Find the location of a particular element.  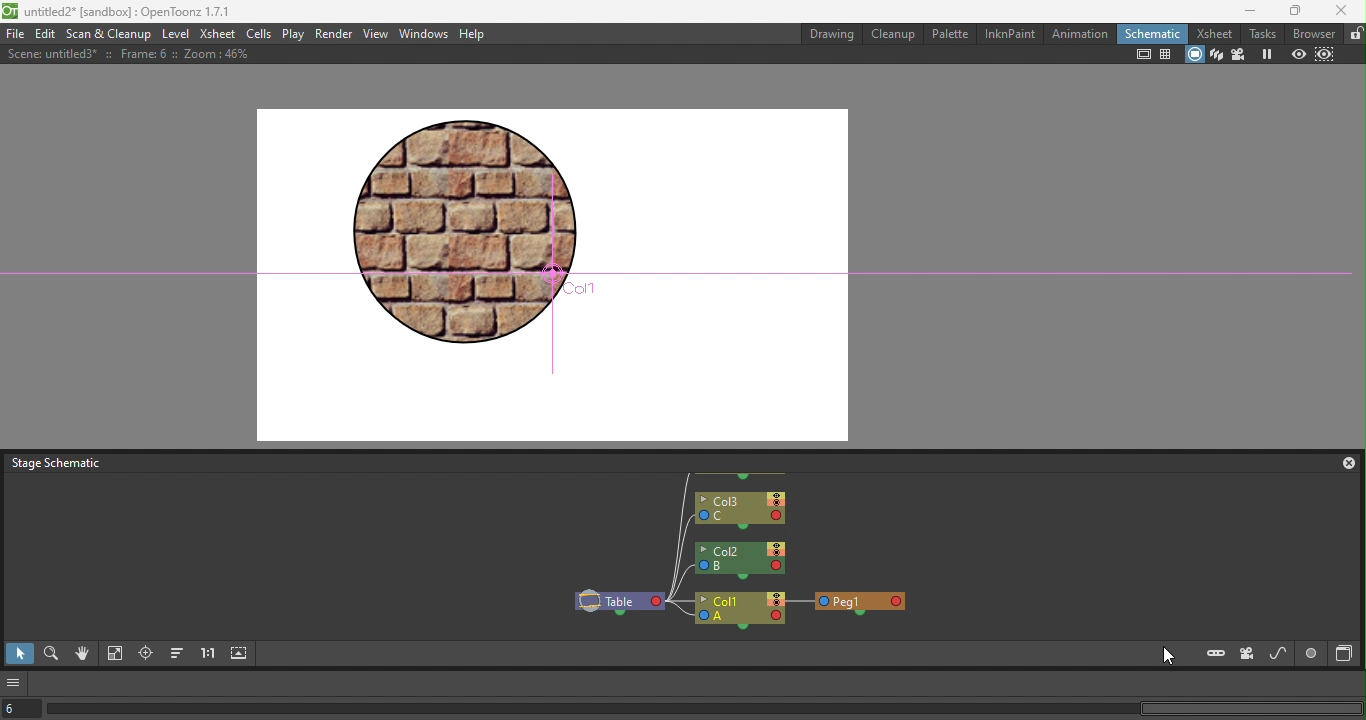

Safe area is located at coordinates (1142, 55).